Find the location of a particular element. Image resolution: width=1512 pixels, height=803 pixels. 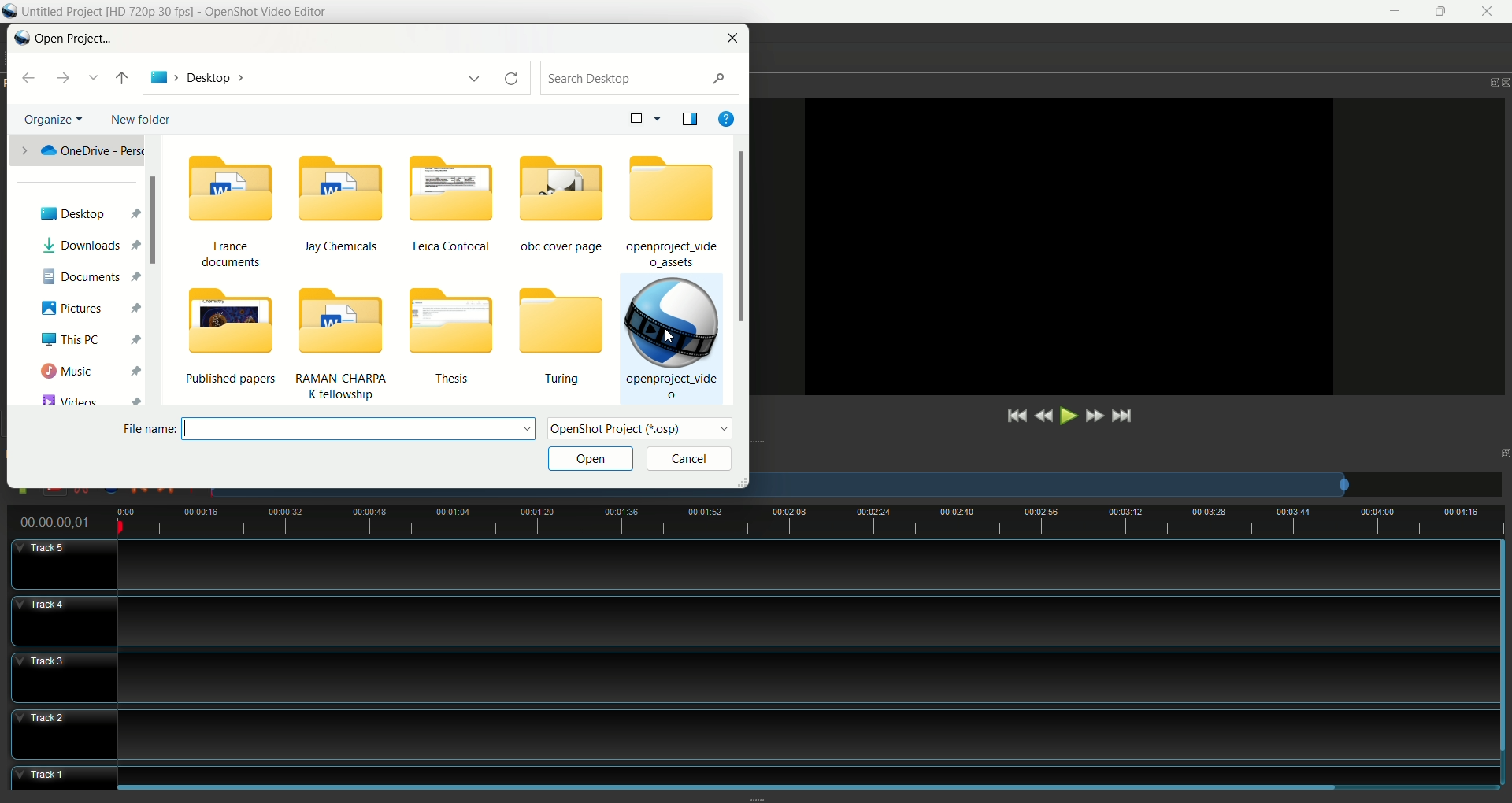

refresh is located at coordinates (512, 83).